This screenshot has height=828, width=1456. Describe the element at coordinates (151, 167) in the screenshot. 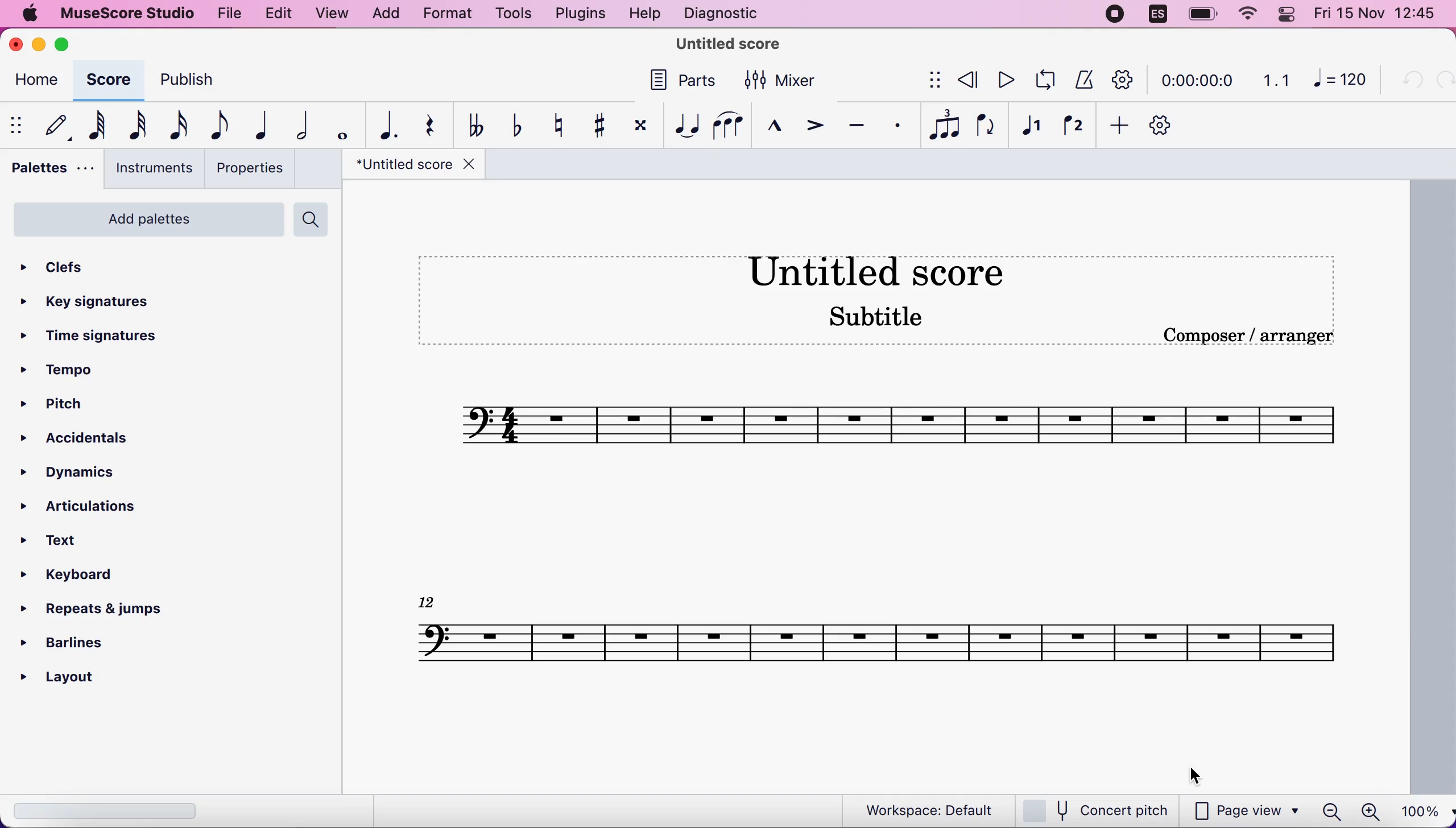

I see `Instruments` at that location.